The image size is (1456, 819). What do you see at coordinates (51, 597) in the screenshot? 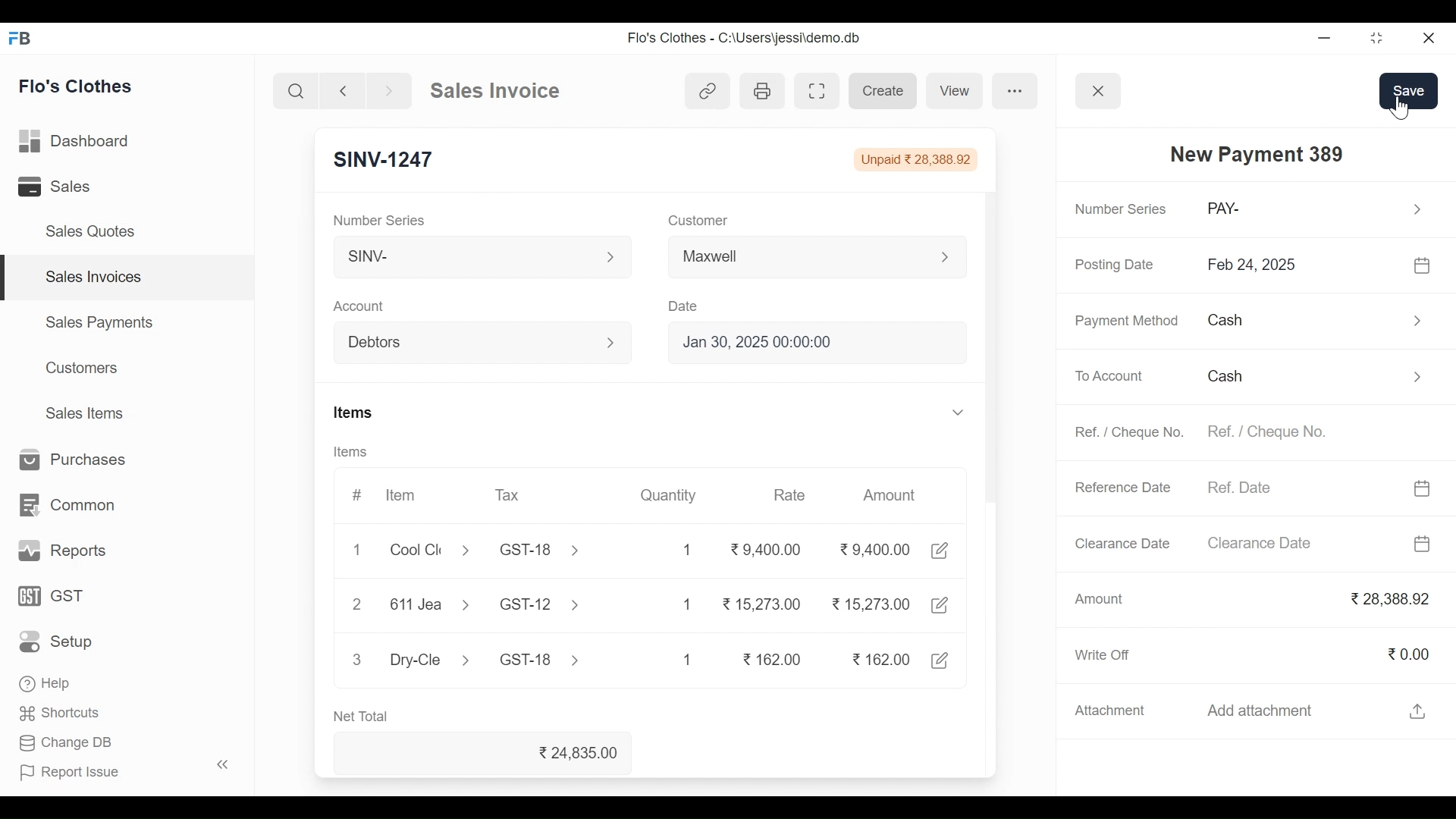
I see `GST` at bounding box center [51, 597].